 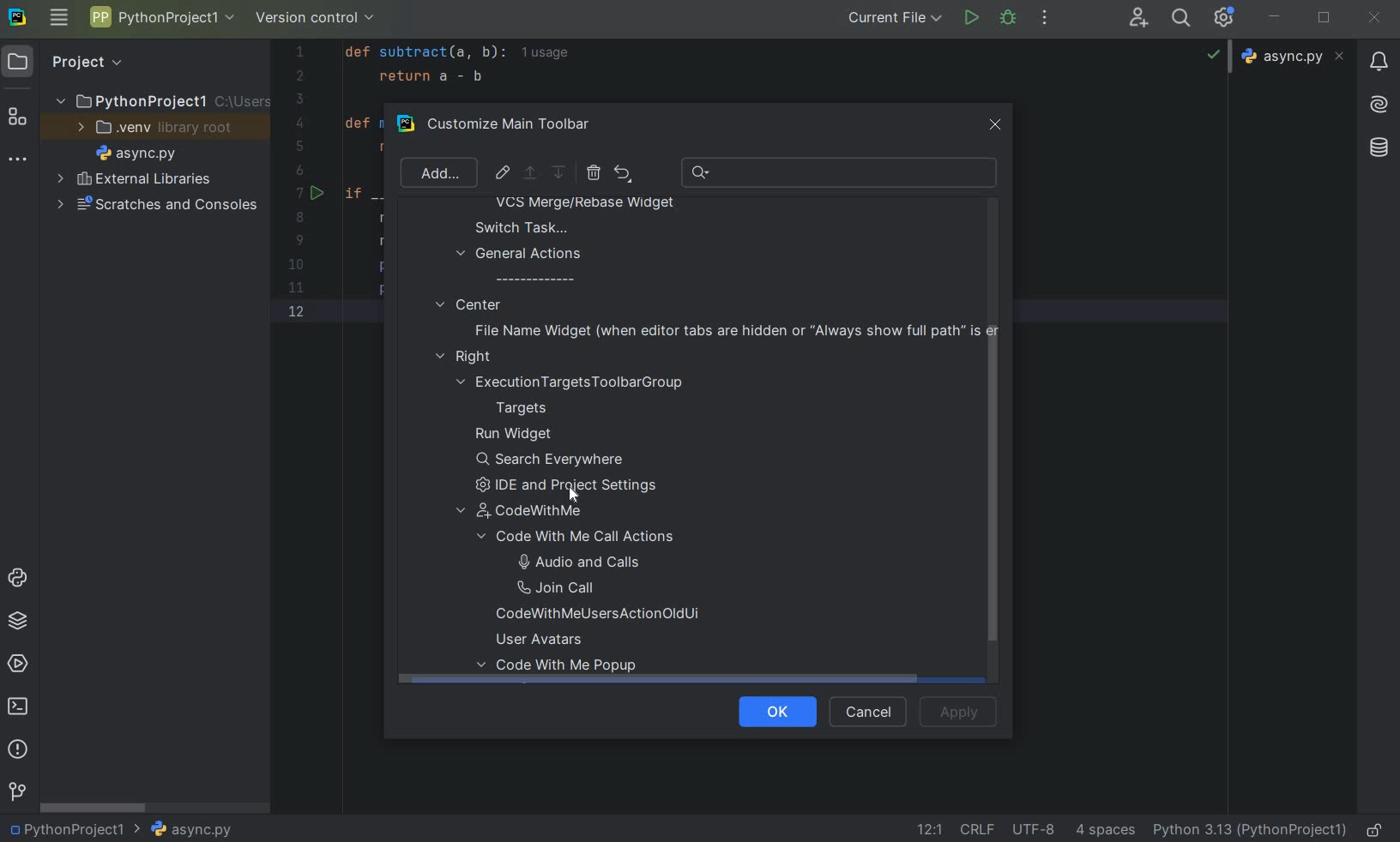 What do you see at coordinates (575, 561) in the screenshot?
I see `audio and calls` at bounding box center [575, 561].